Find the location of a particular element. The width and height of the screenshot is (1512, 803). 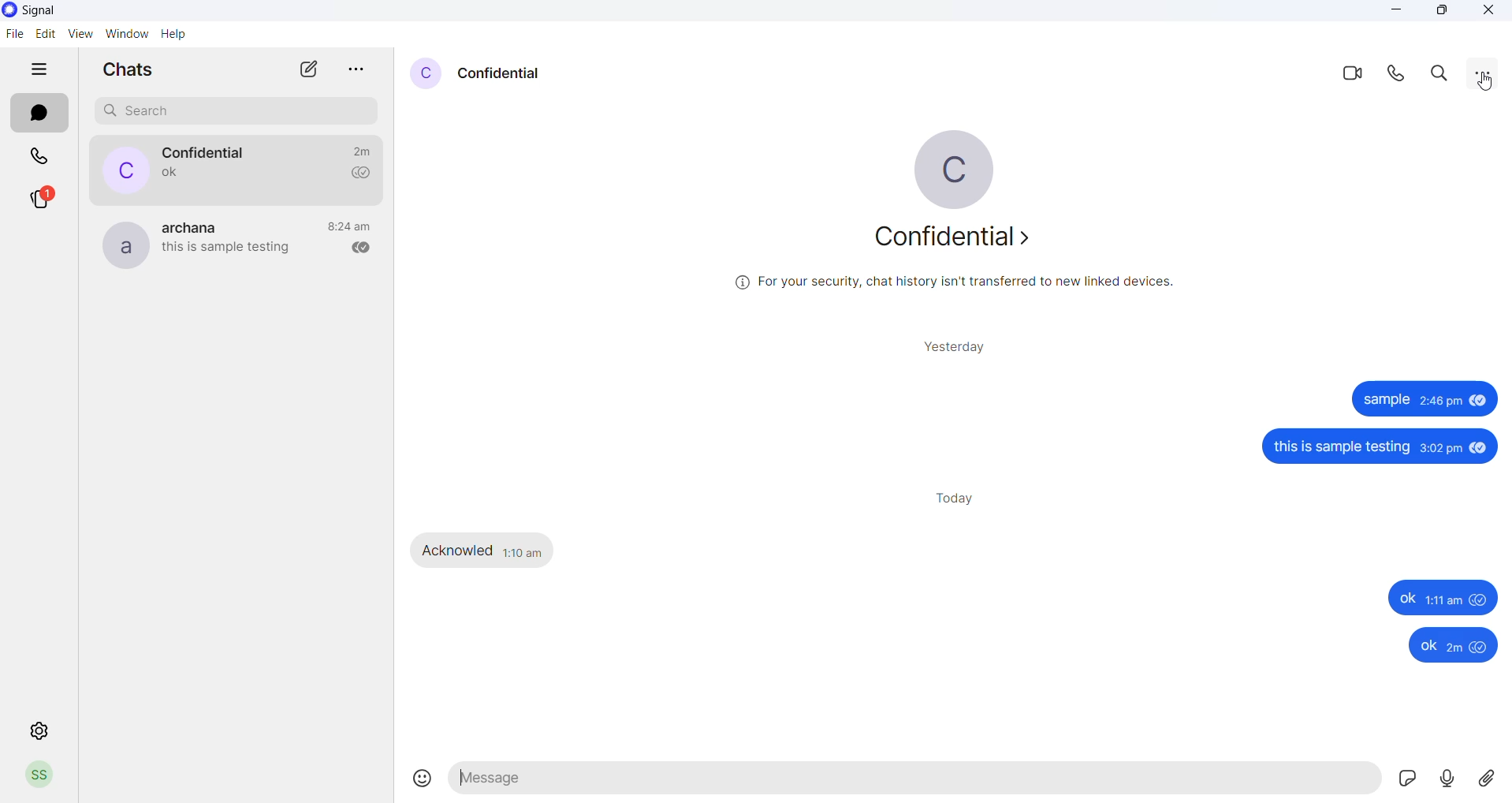

about contact is located at coordinates (961, 238).